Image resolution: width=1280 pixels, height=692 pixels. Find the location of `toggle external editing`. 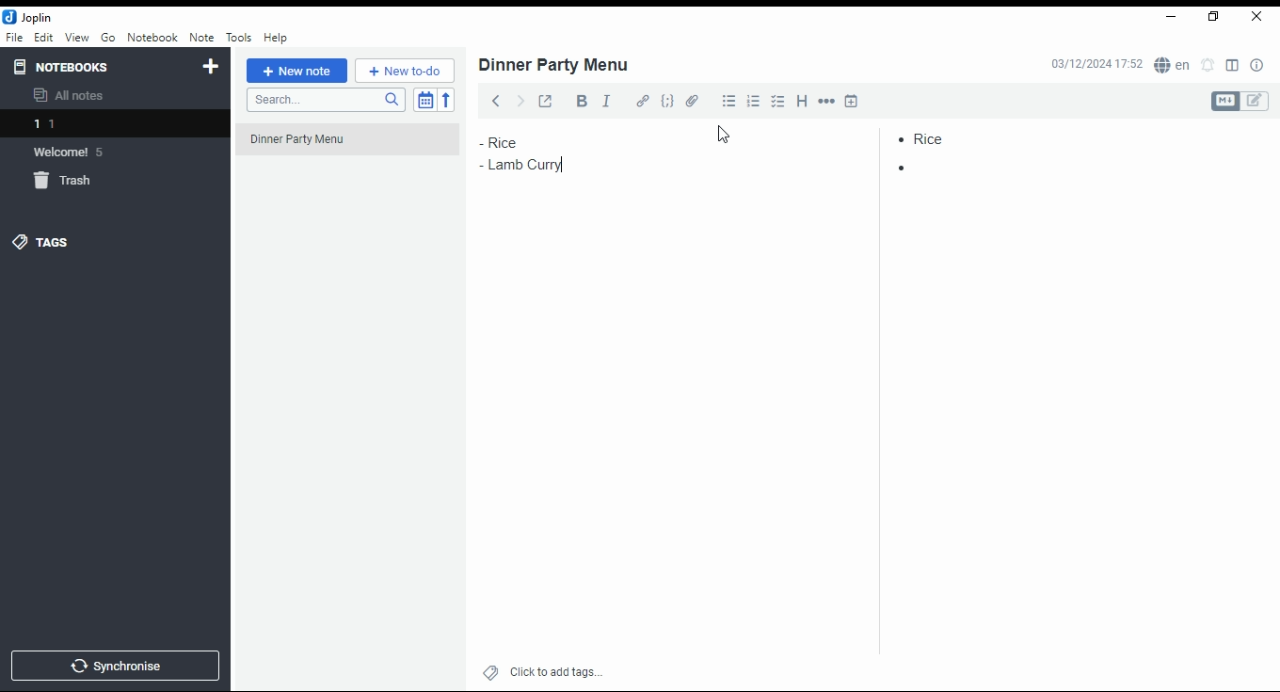

toggle external editing is located at coordinates (546, 100).